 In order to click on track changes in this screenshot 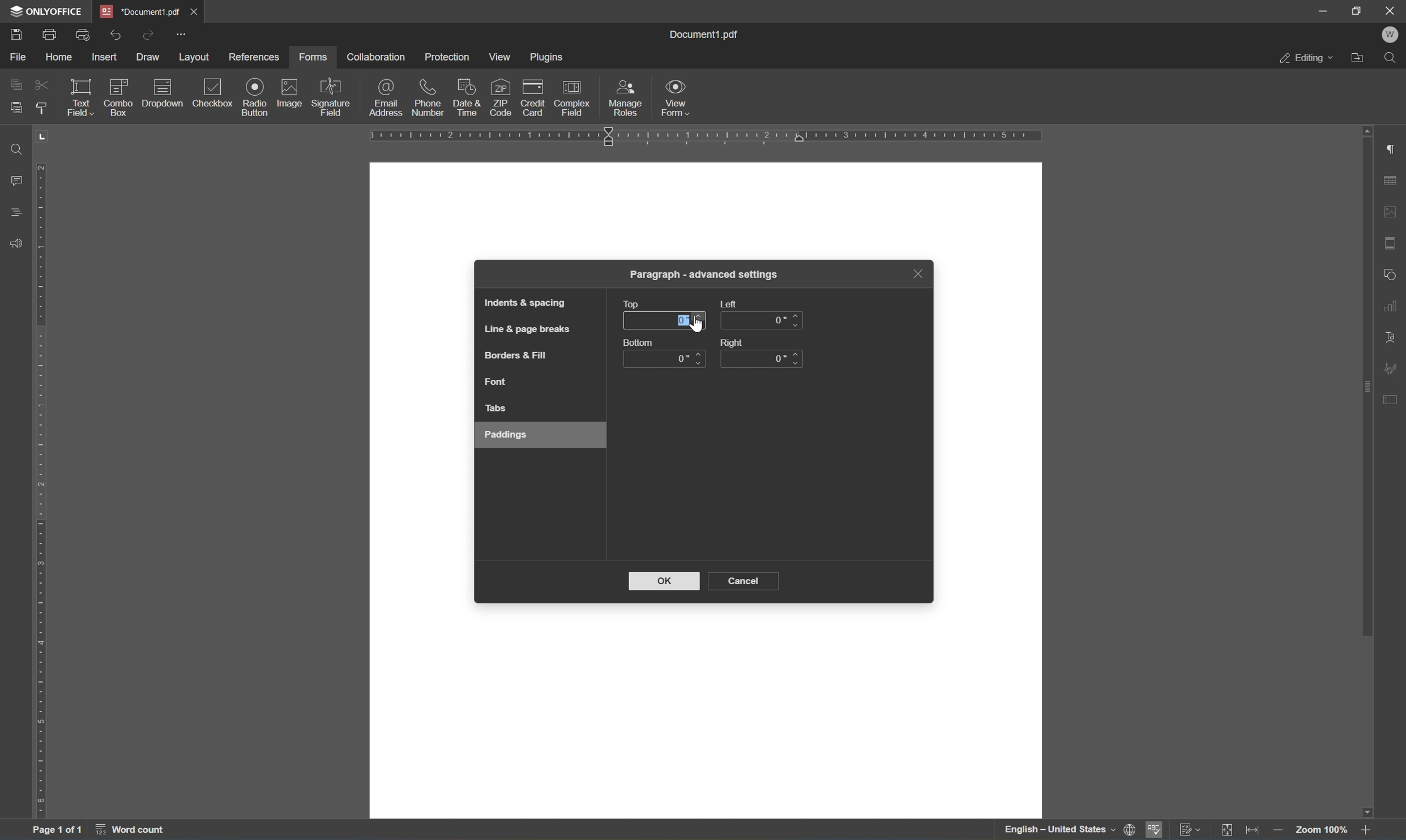, I will do `click(1192, 830)`.